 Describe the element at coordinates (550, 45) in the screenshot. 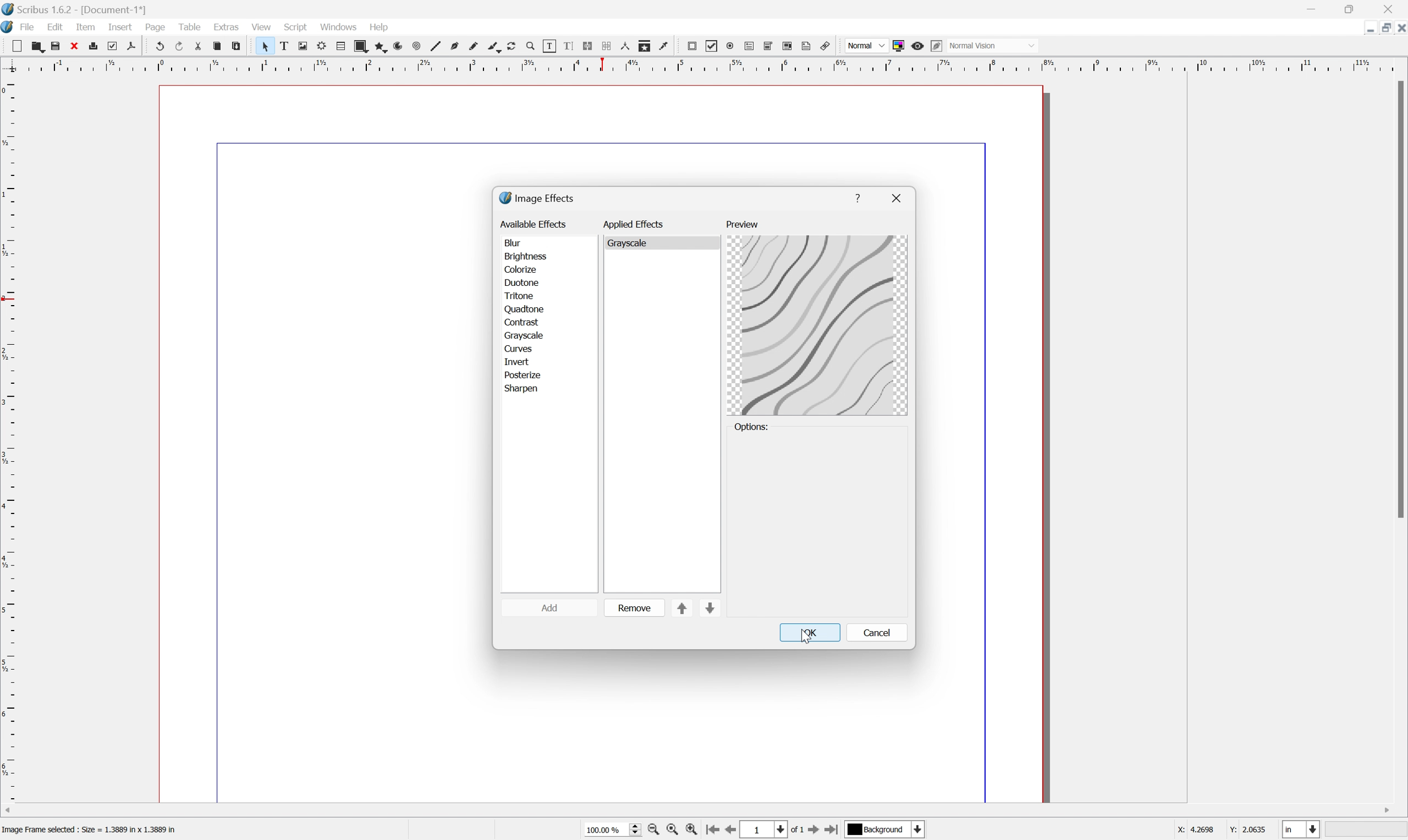

I see `Edit contents of frame` at that location.